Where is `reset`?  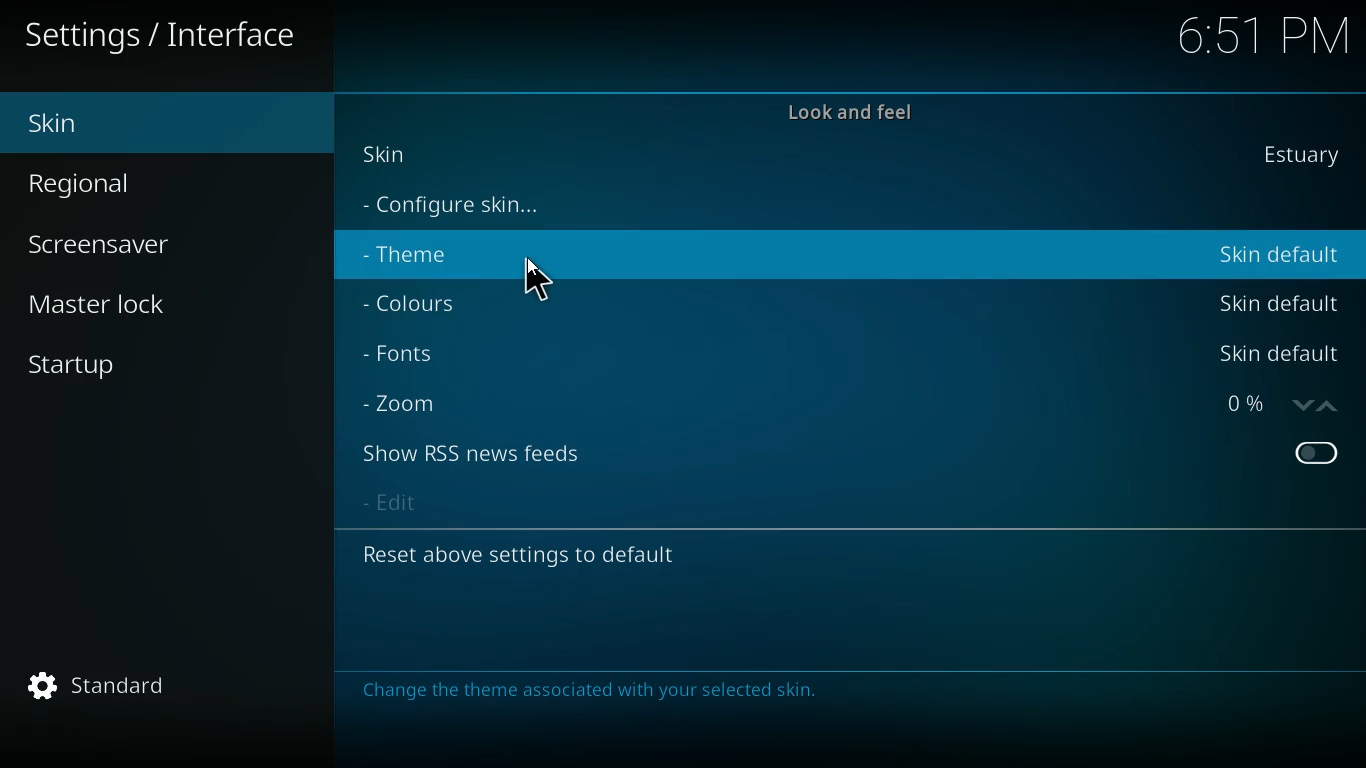
reset is located at coordinates (533, 558).